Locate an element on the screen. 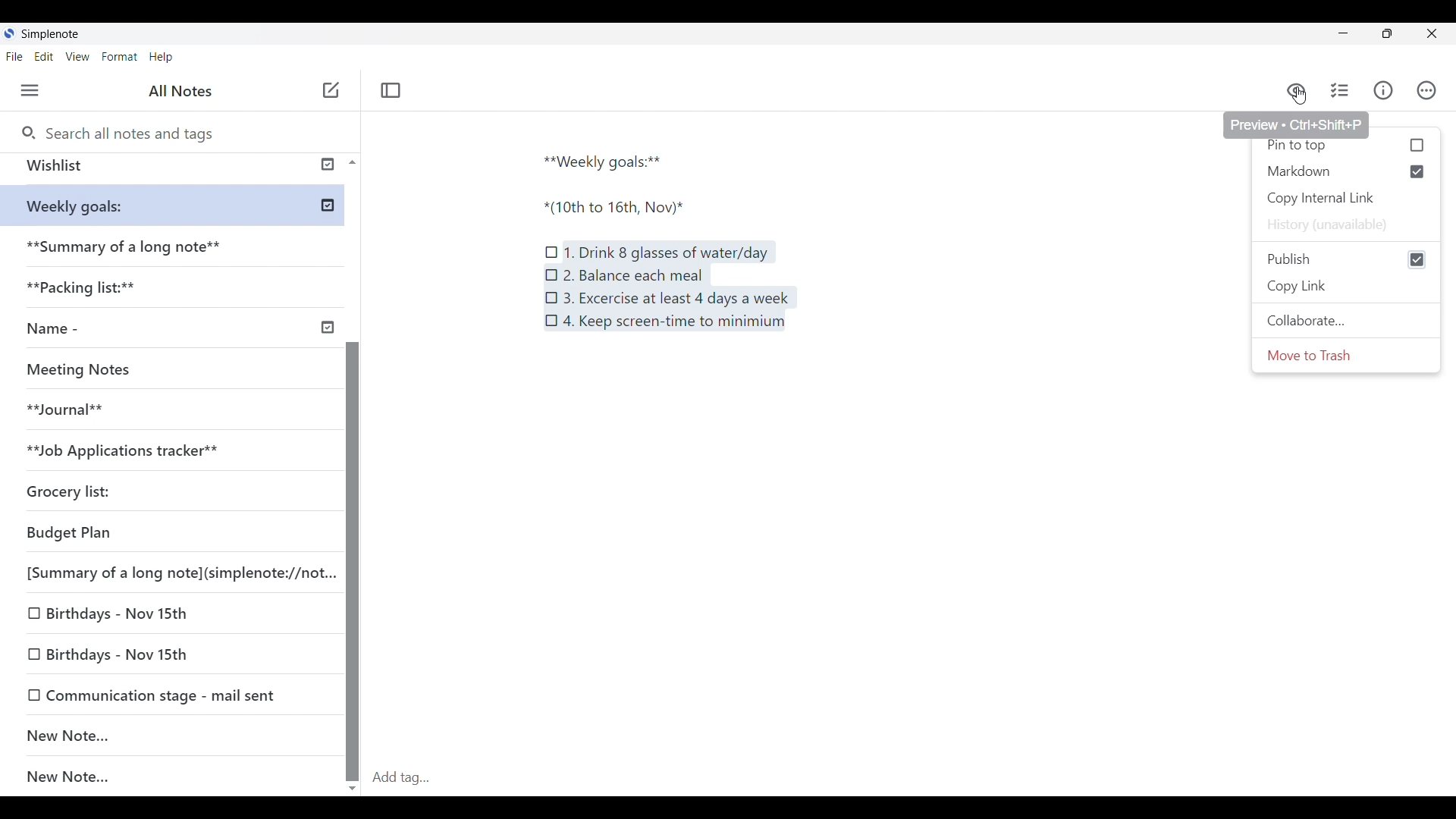 Image resolution: width=1456 pixels, height=819 pixels. File is located at coordinates (17, 56).